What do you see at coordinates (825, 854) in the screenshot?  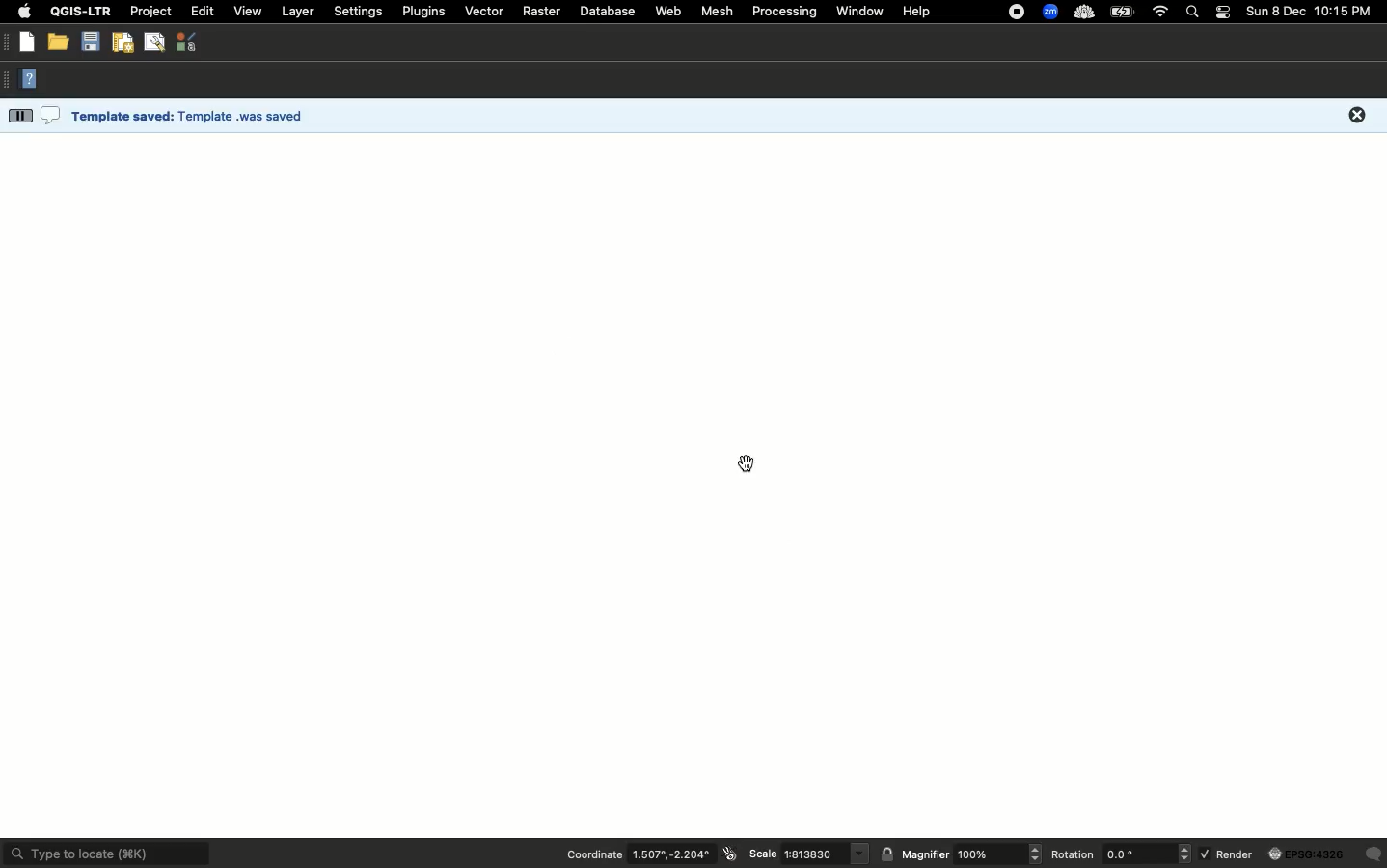 I see `scale` at bounding box center [825, 854].